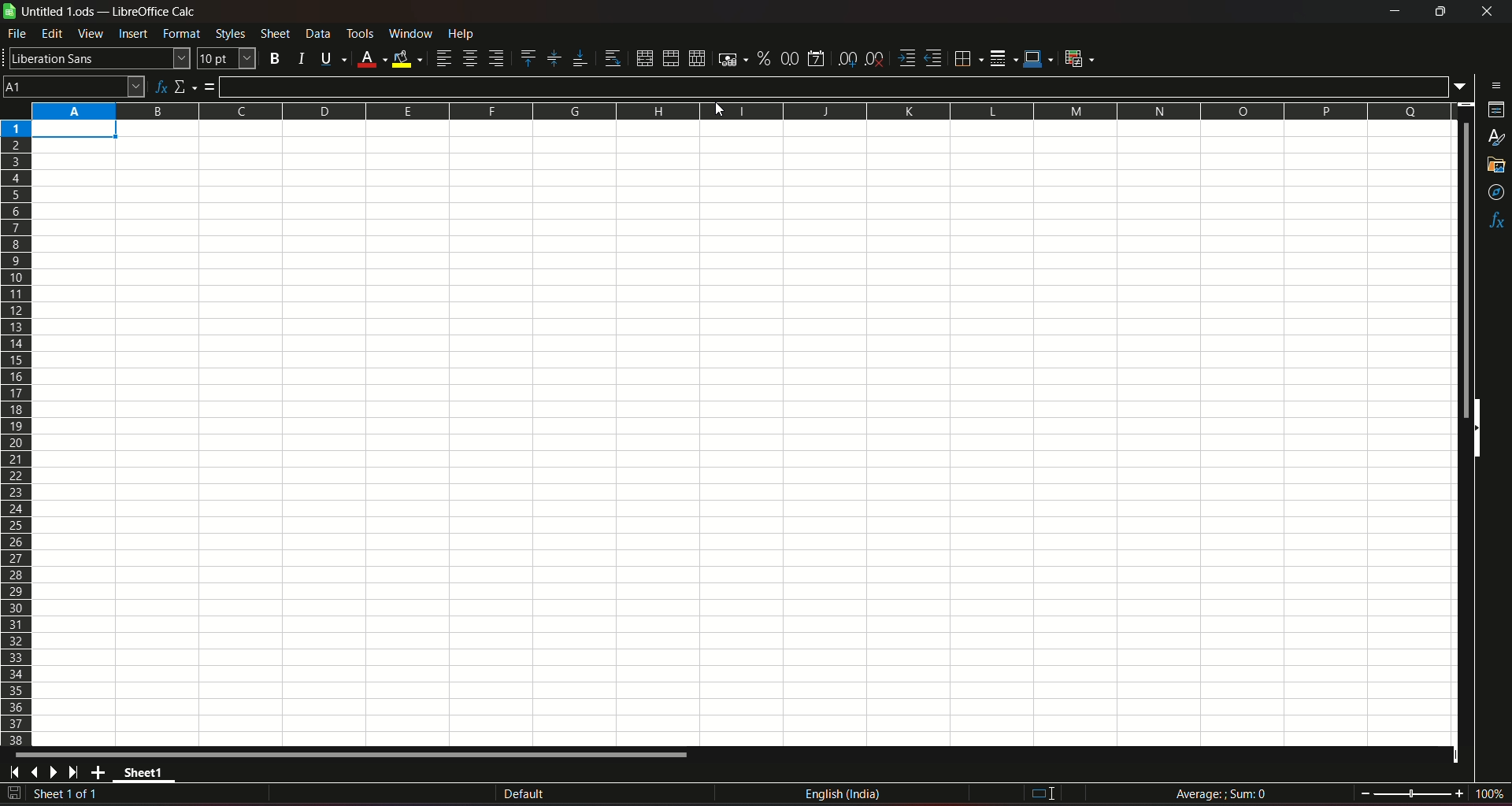 Image resolution: width=1512 pixels, height=806 pixels. What do you see at coordinates (74, 86) in the screenshot?
I see `name box` at bounding box center [74, 86].